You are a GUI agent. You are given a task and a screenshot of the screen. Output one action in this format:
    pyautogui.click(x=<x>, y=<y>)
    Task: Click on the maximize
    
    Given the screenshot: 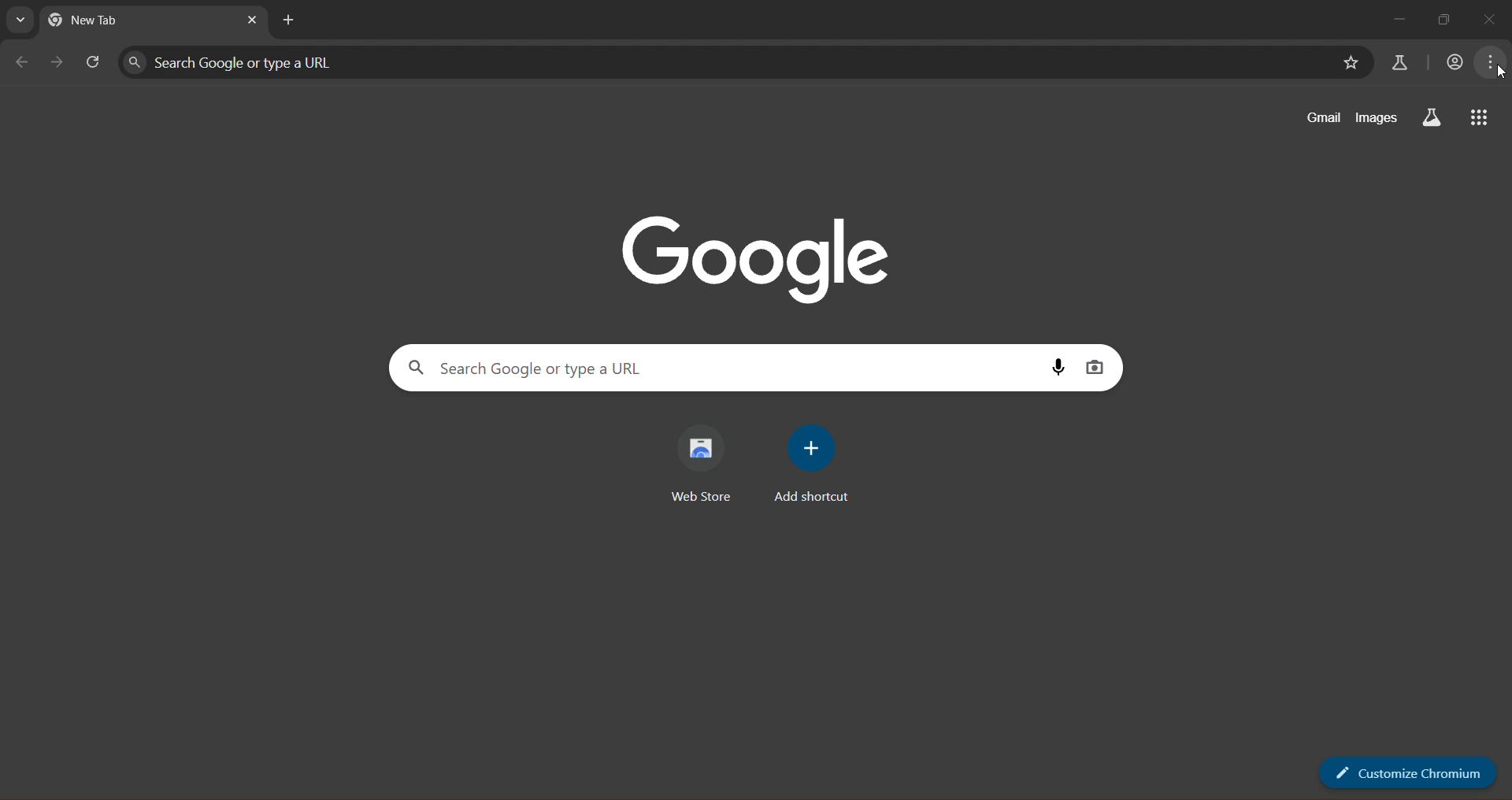 What is the action you would take?
    pyautogui.click(x=1443, y=18)
    